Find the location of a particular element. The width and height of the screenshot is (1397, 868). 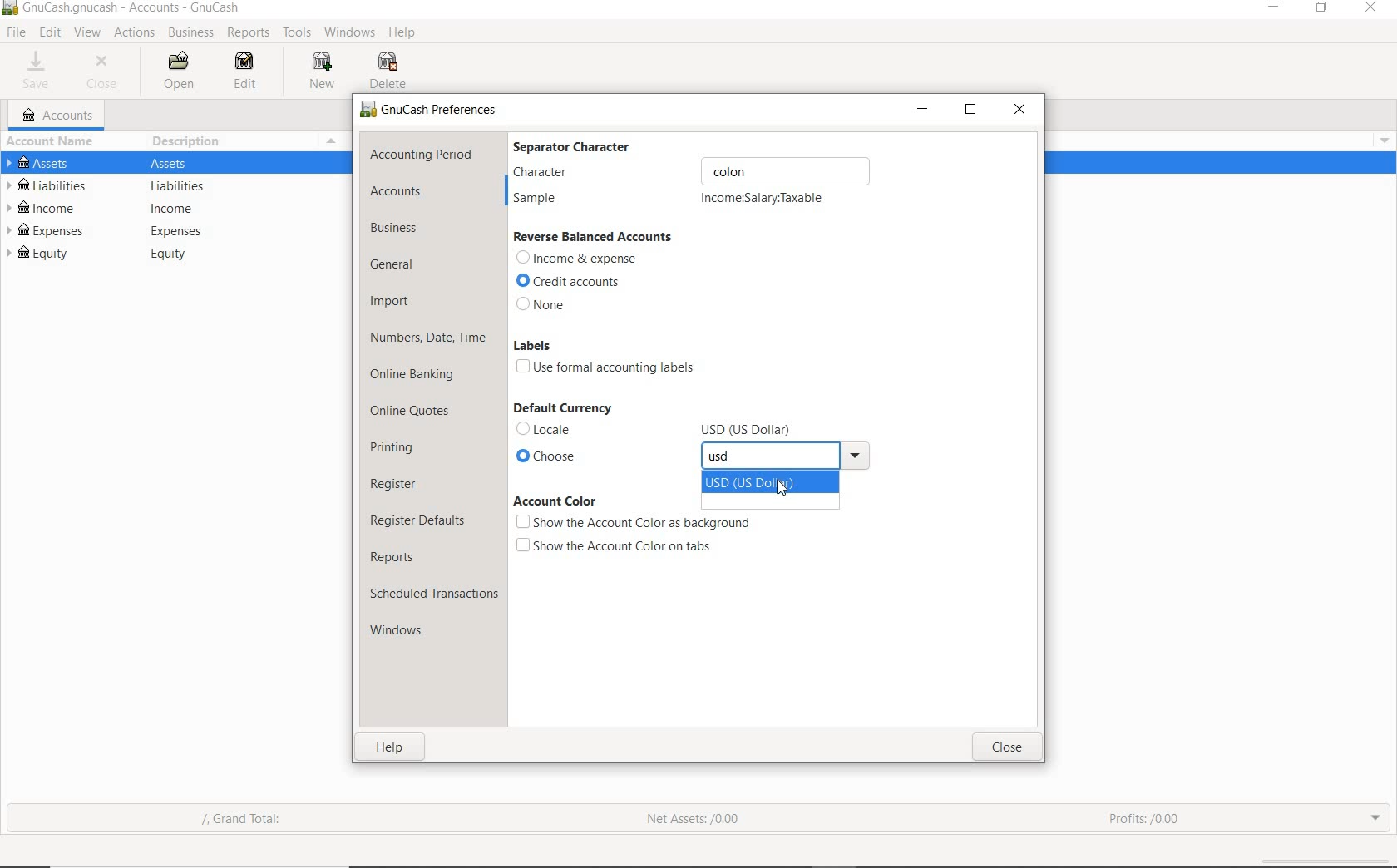

FILE is located at coordinates (15, 33).